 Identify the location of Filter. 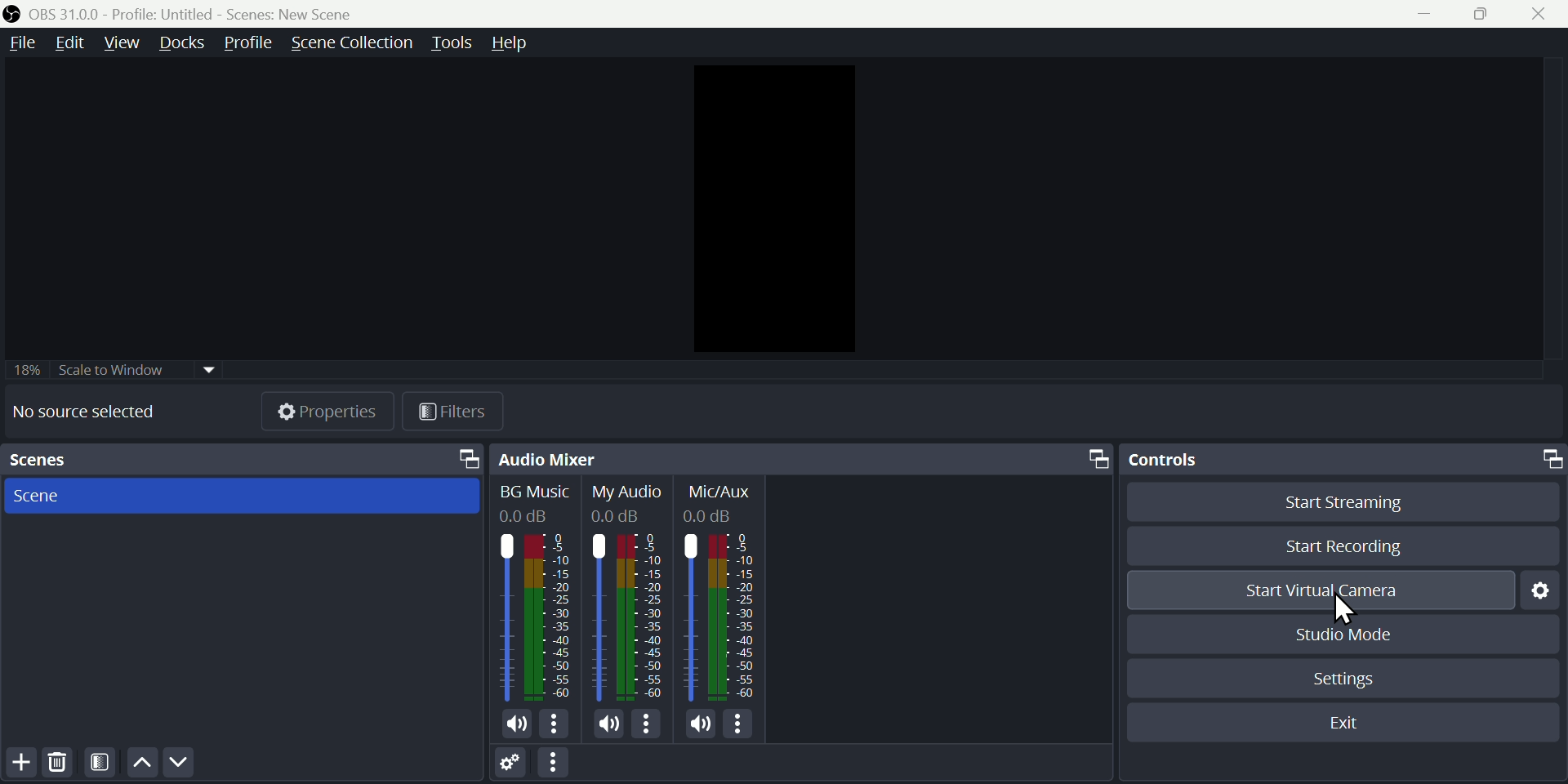
(453, 414).